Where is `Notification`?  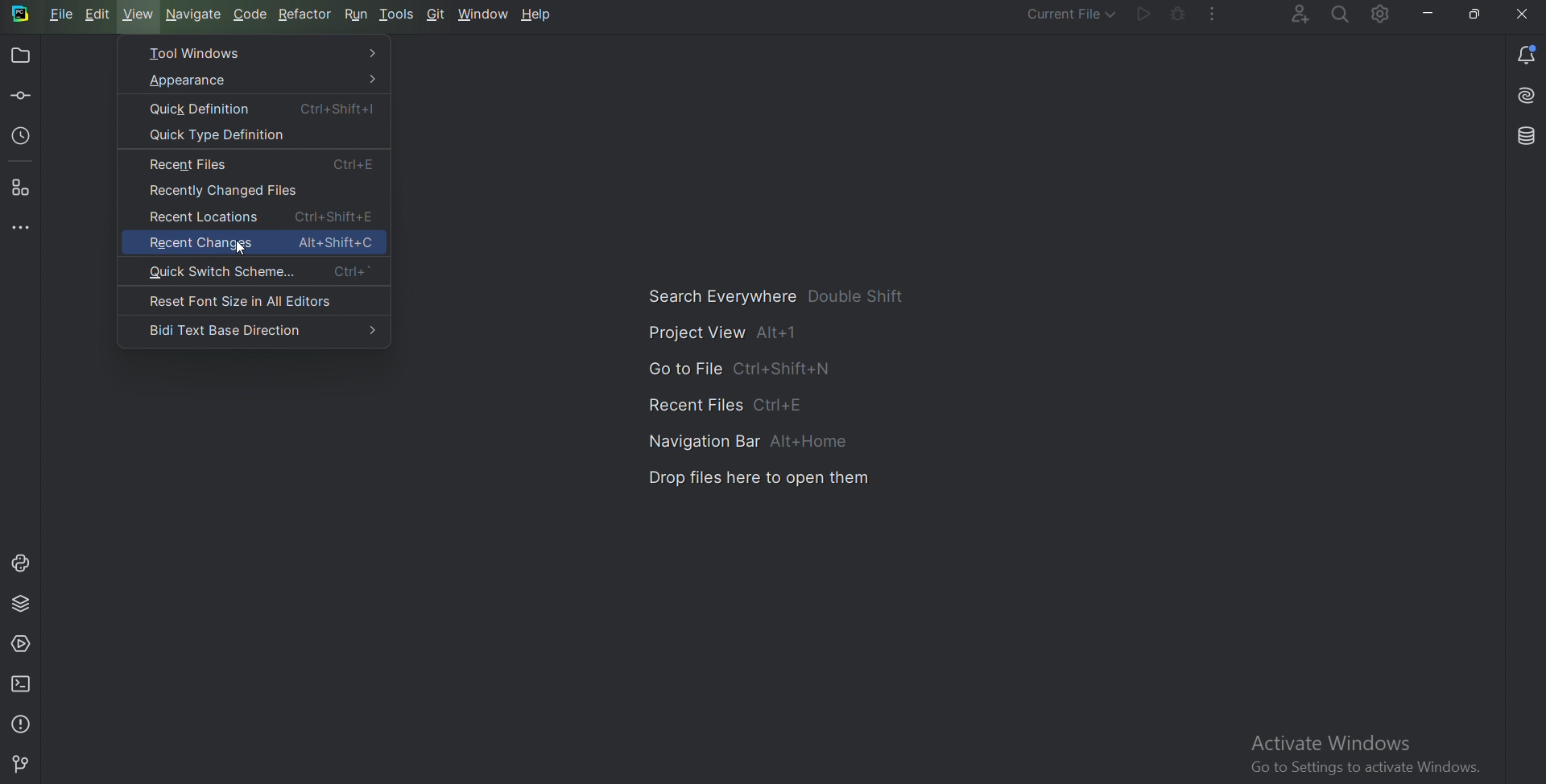 Notification is located at coordinates (1523, 55).